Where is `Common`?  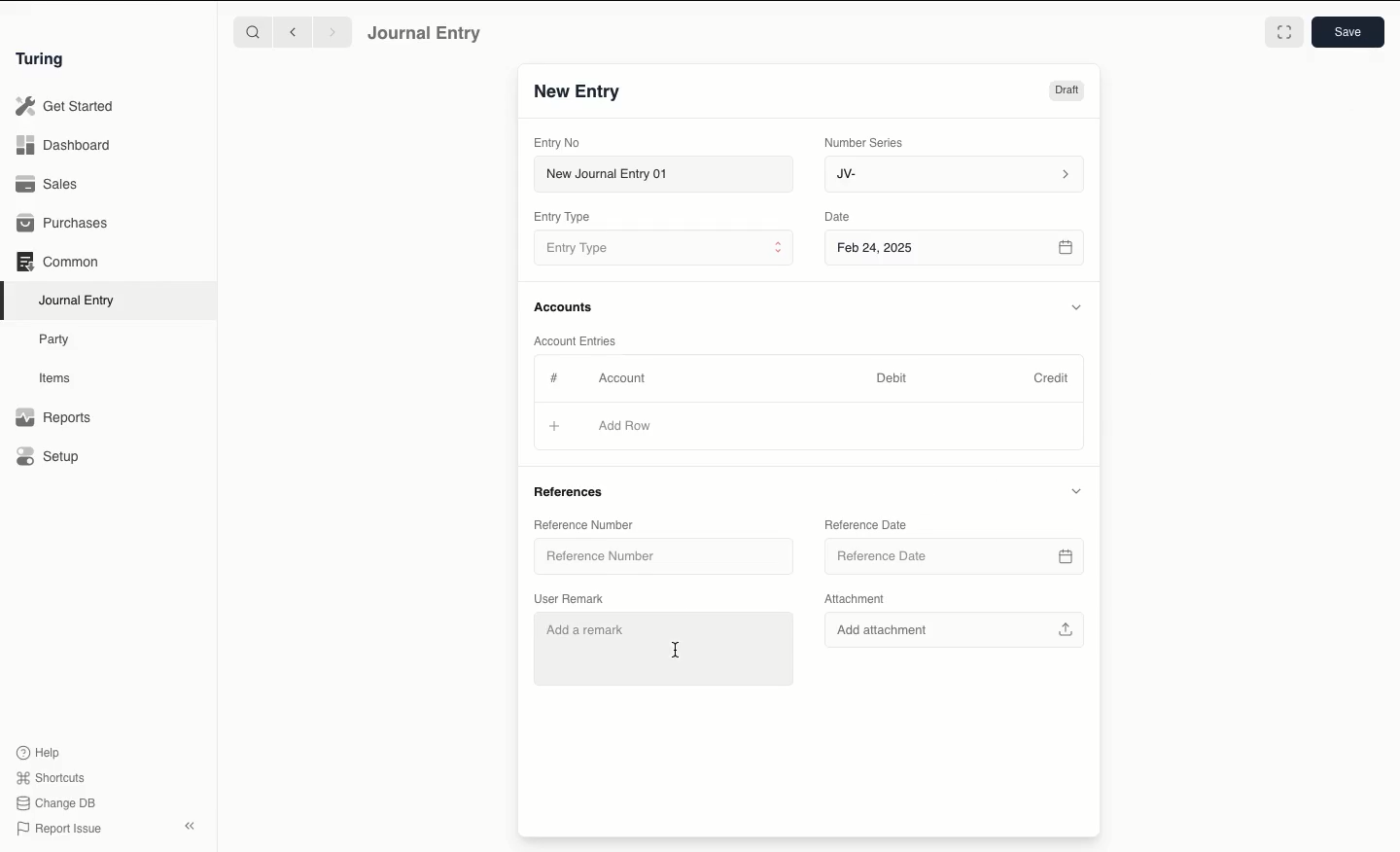 Common is located at coordinates (59, 262).